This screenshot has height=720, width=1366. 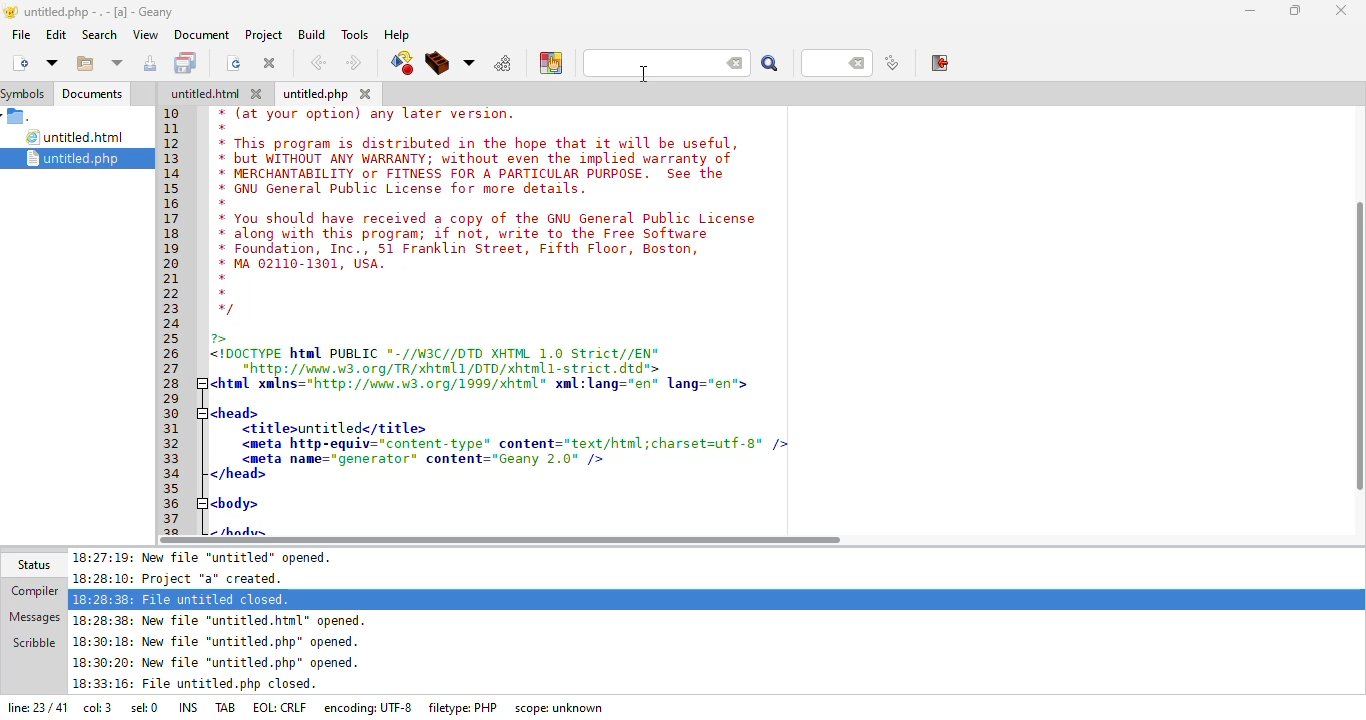 I want to click on 29, so click(x=174, y=397).